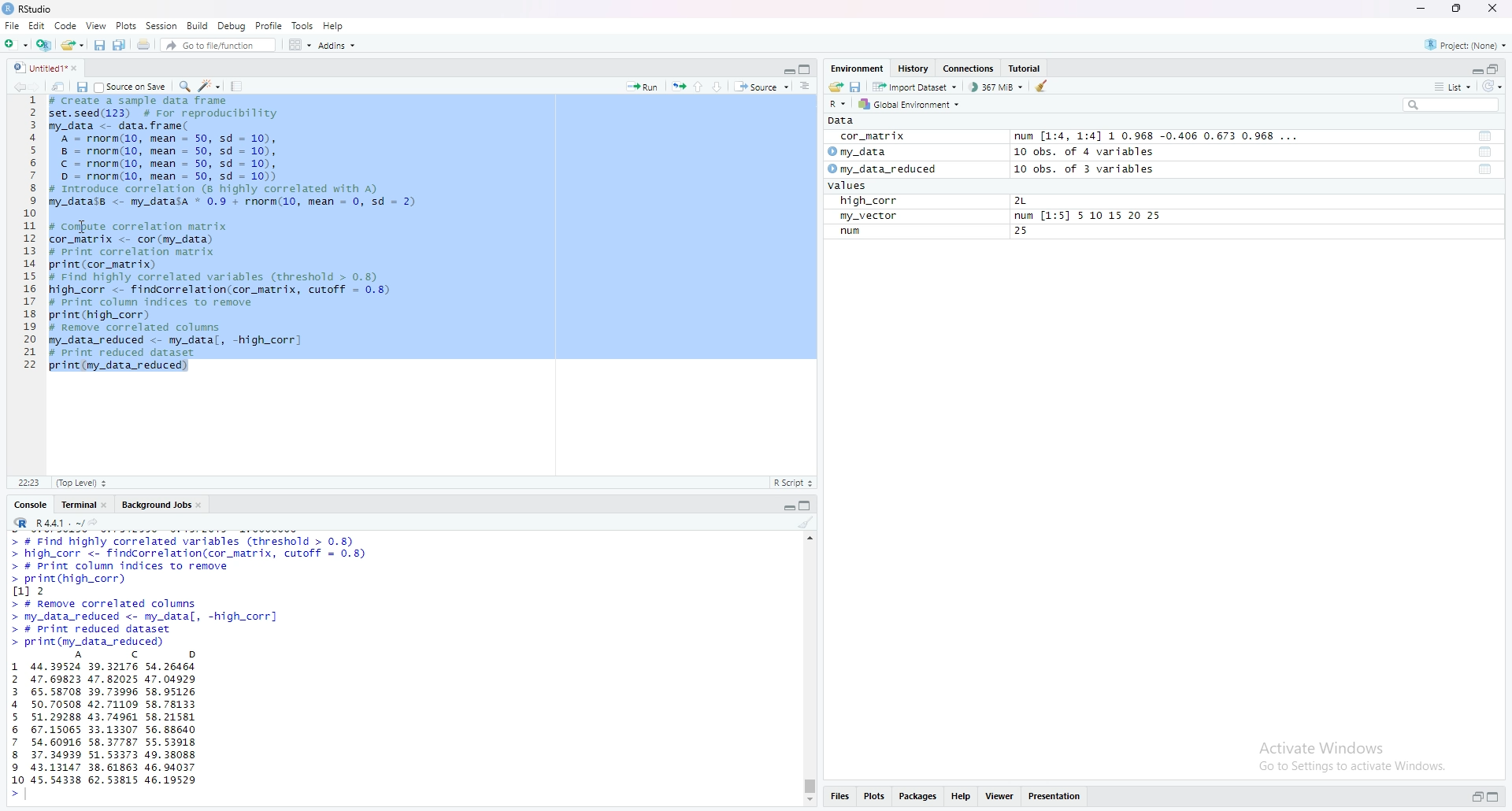 The width and height of the screenshot is (1512, 811). What do you see at coordinates (127, 25) in the screenshot?
I see `Plots` at bounding box center [127, 25].